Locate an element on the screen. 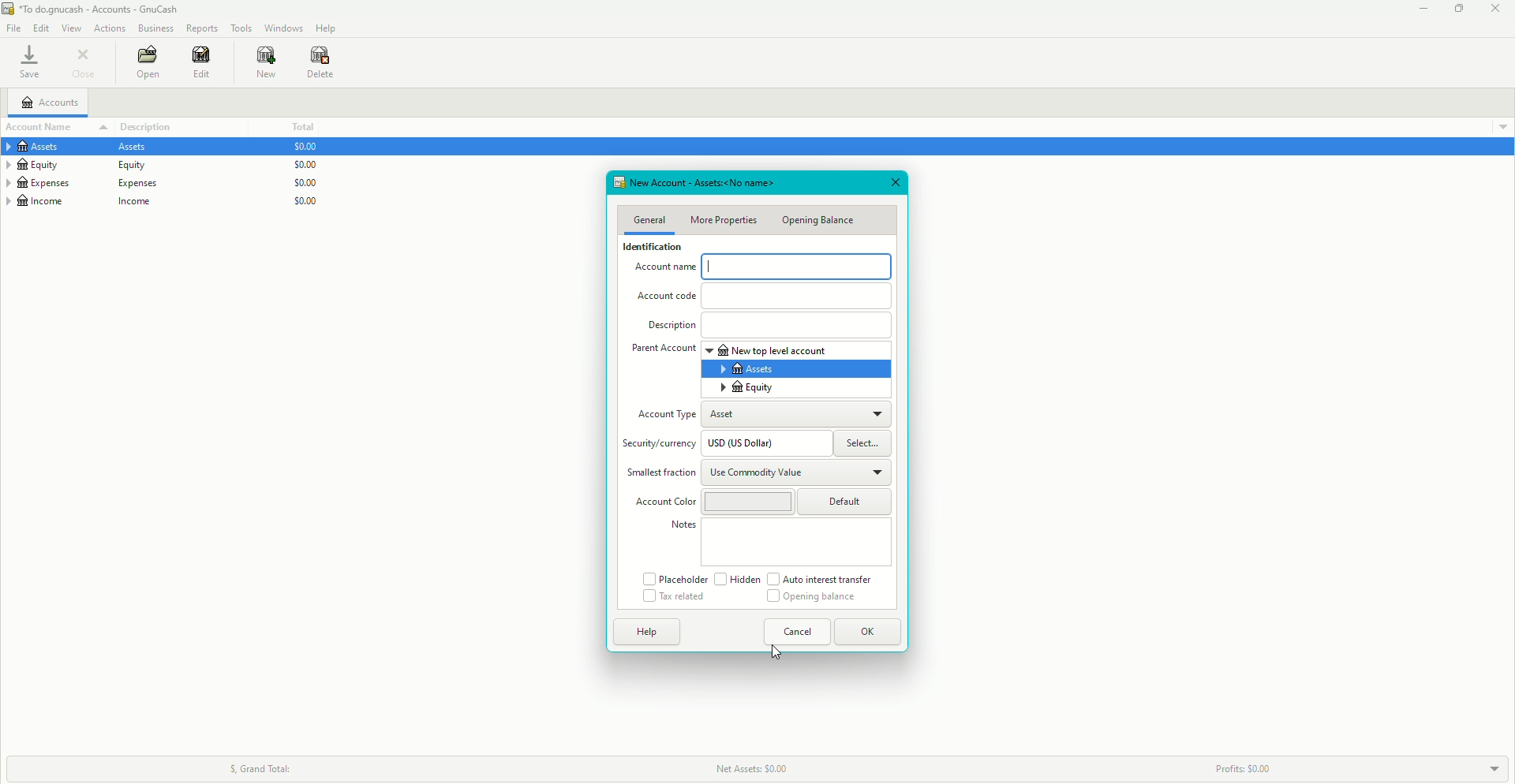 Image resolution: width=1515 pixels, height=784 pixels. Actions is located at coordinates (110, 28).